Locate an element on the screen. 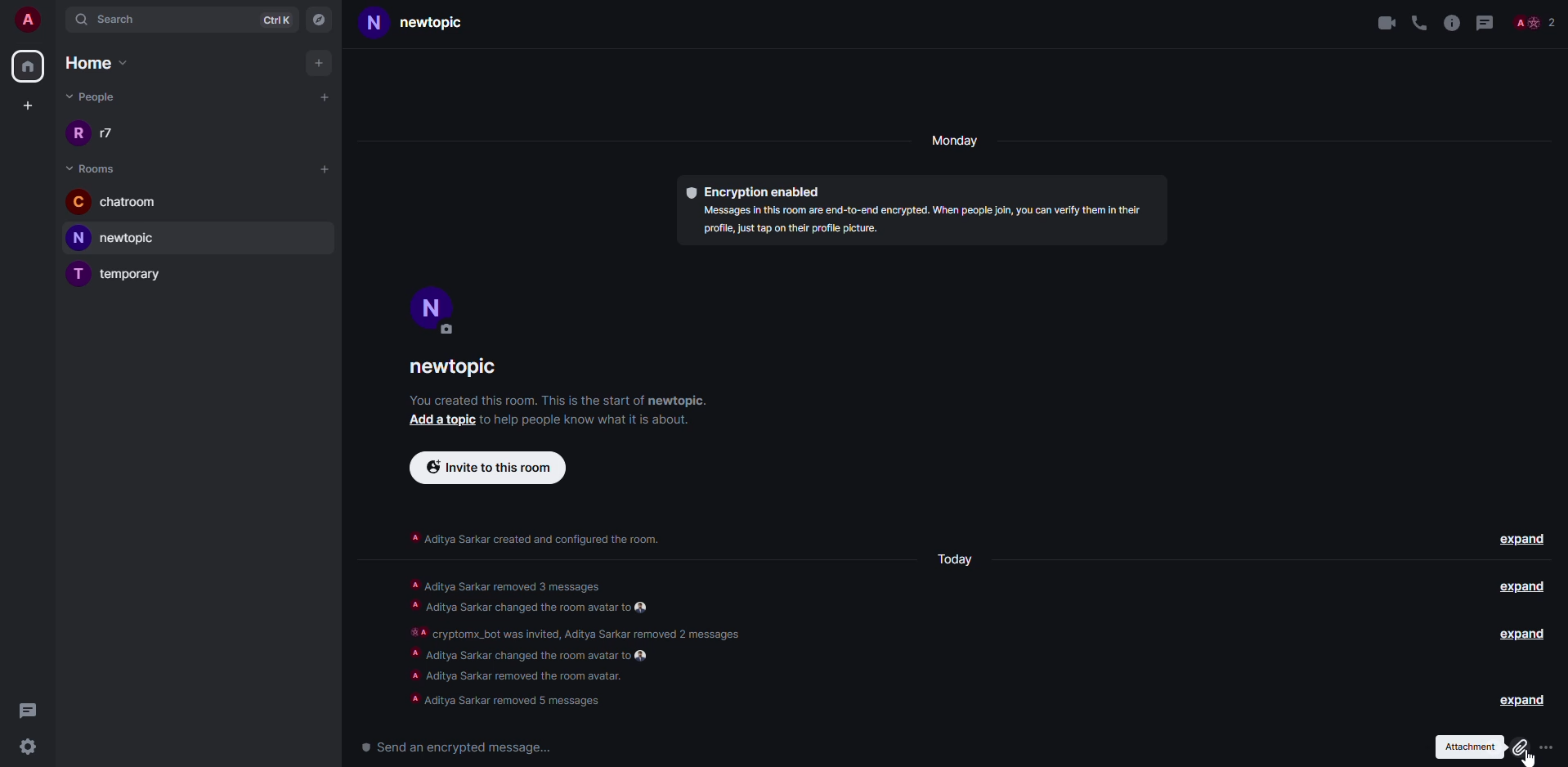 Image resolution: width=1568 pixels, height=767 pixels. expand is located at coordinates (1519, 538).